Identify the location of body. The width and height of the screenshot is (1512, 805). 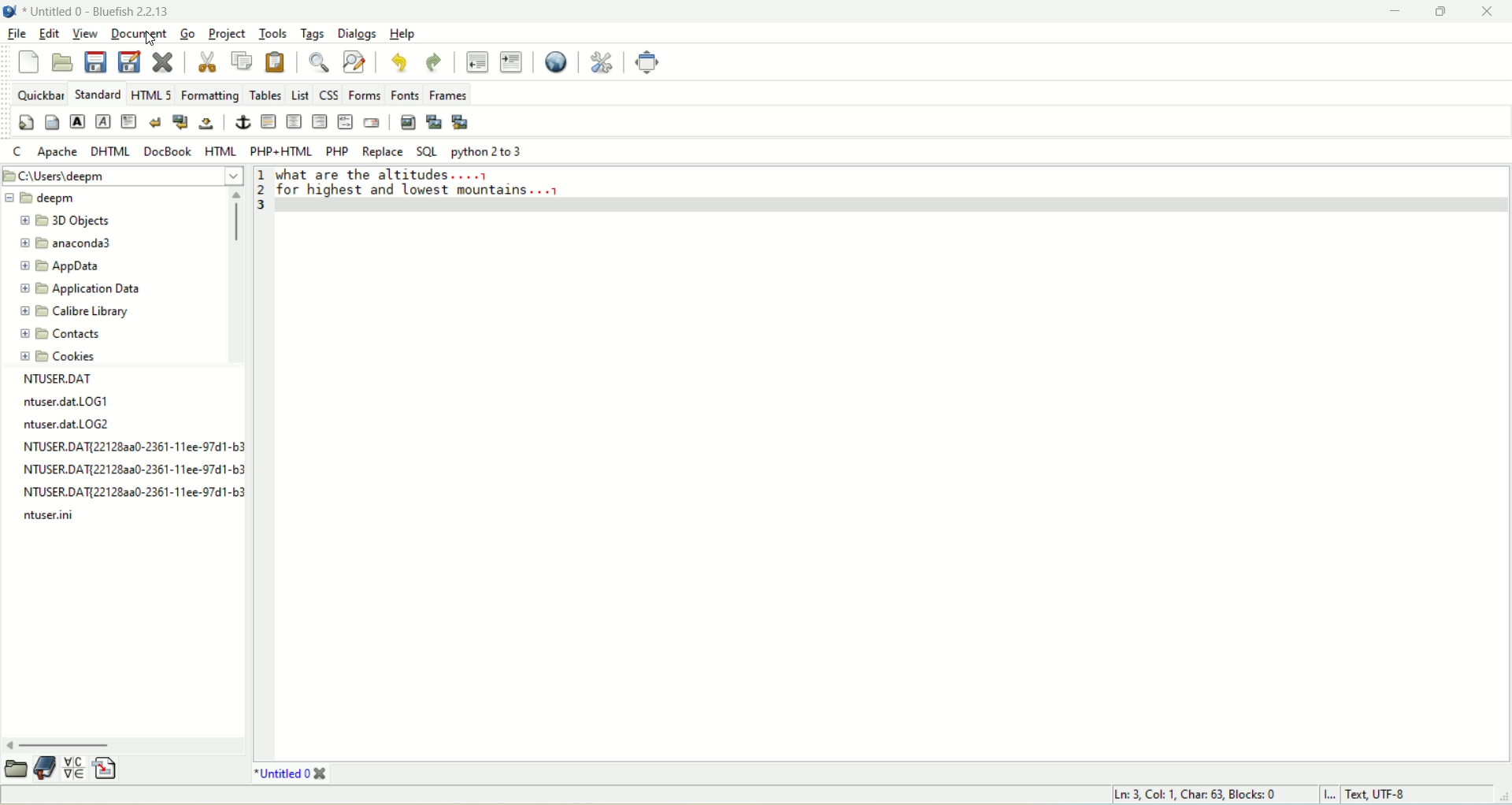
(51, 122).